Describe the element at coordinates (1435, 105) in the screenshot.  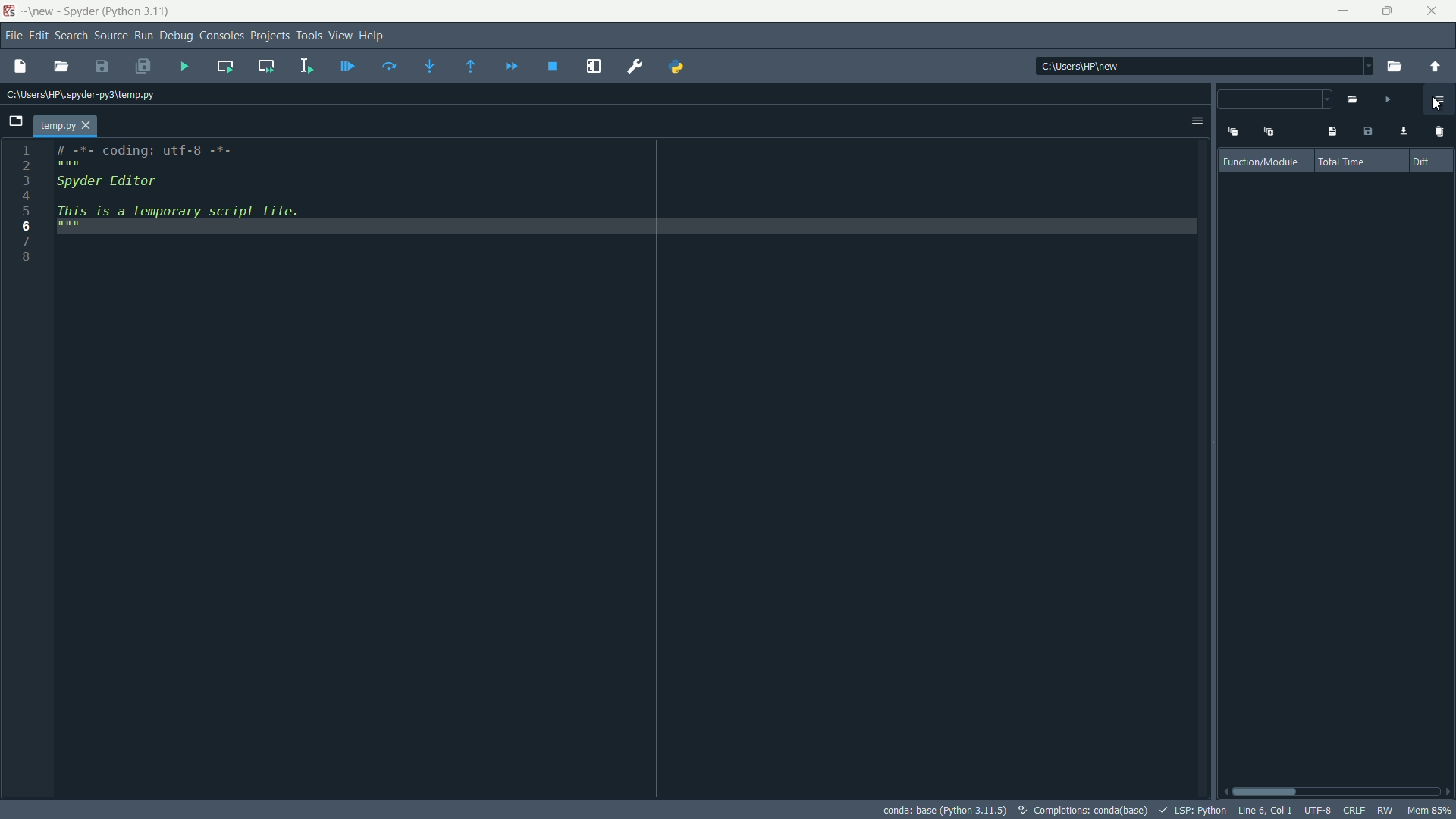
I see `cursor` at that location.